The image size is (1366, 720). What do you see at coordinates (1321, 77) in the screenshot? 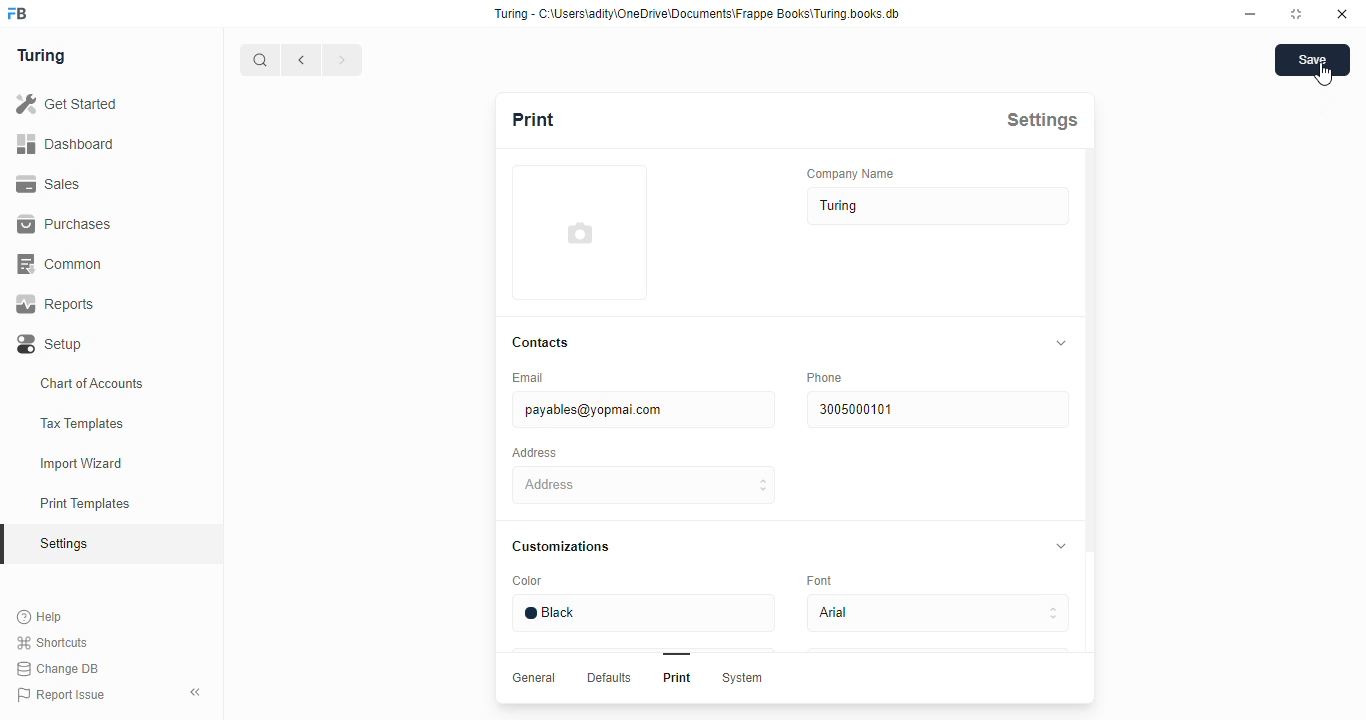
I see `cursor` at bounding box center [1321, 77].